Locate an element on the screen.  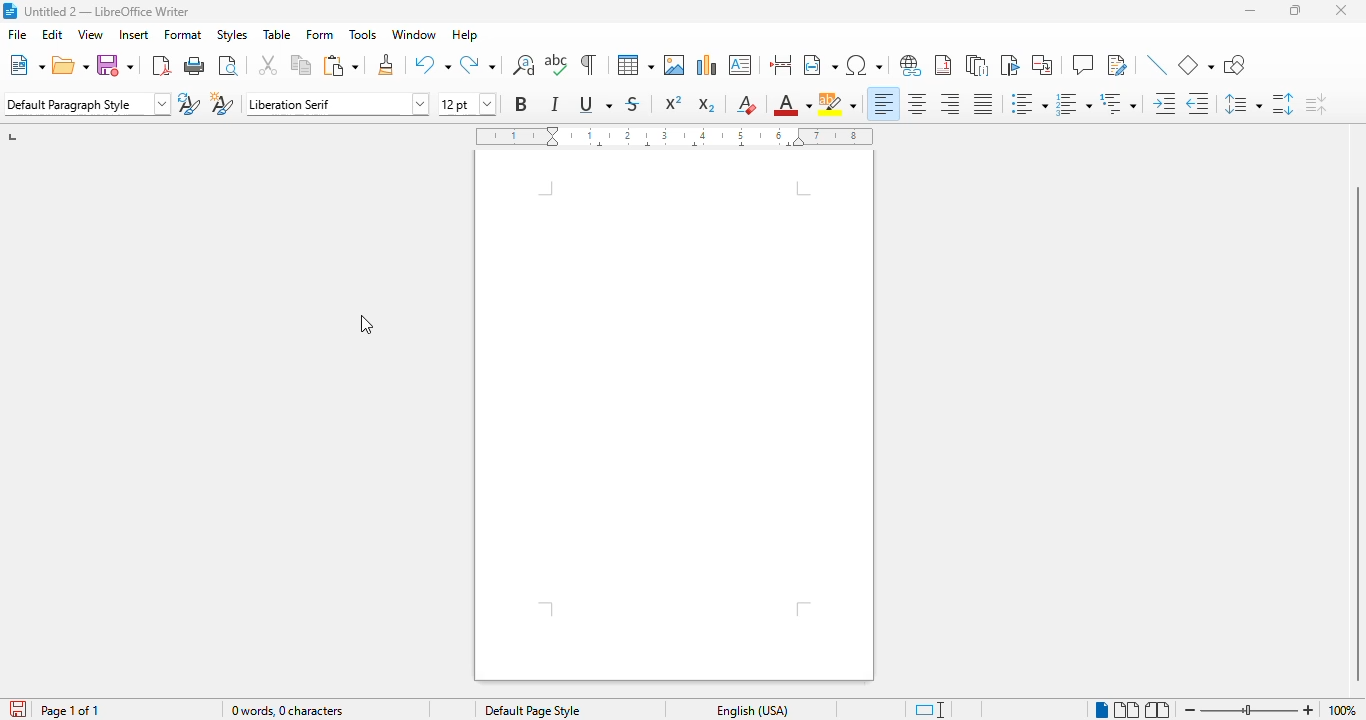
form is located at coordinates (319, 35).